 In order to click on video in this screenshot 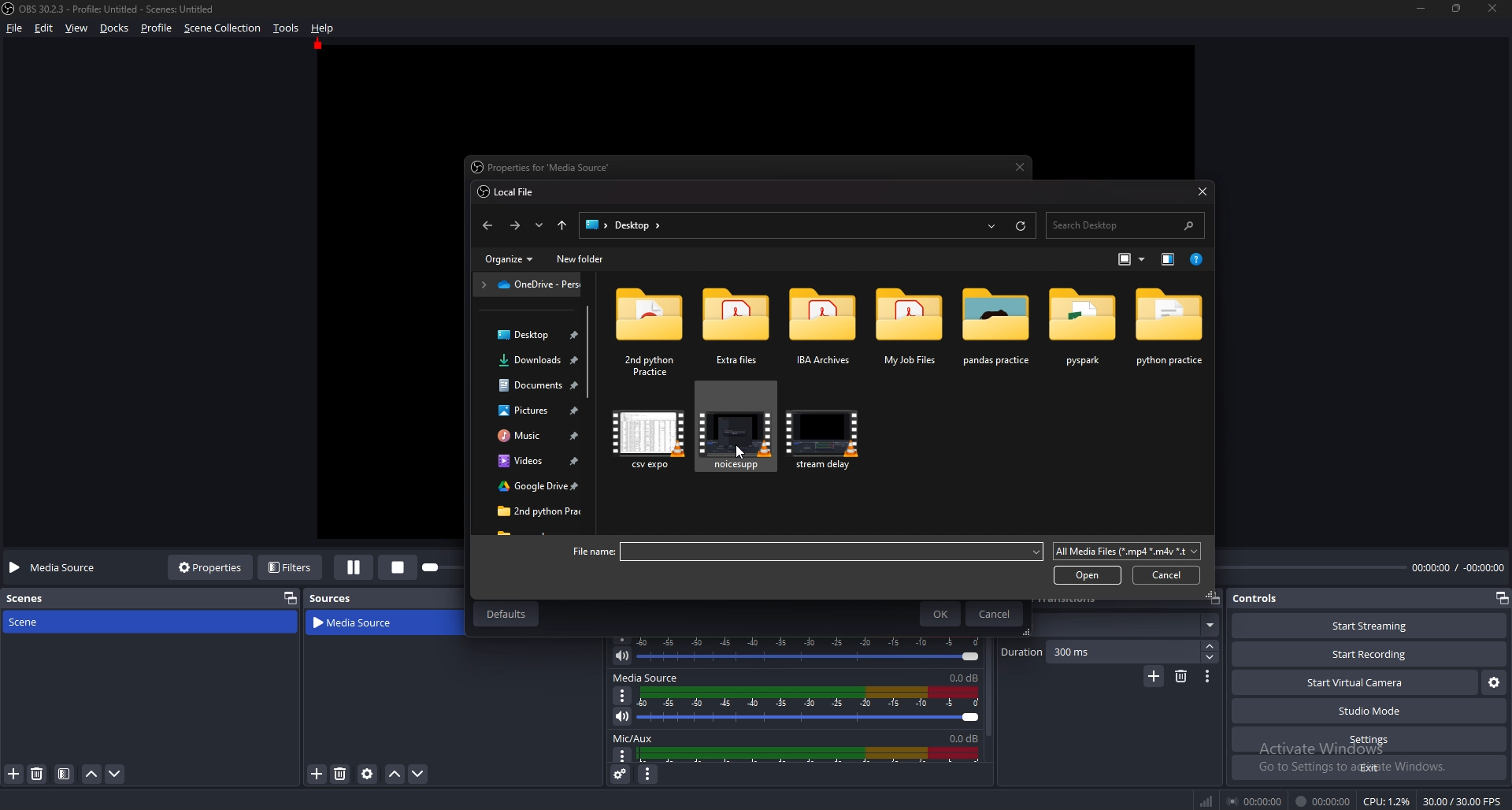, I will do `click(650, 437)`.